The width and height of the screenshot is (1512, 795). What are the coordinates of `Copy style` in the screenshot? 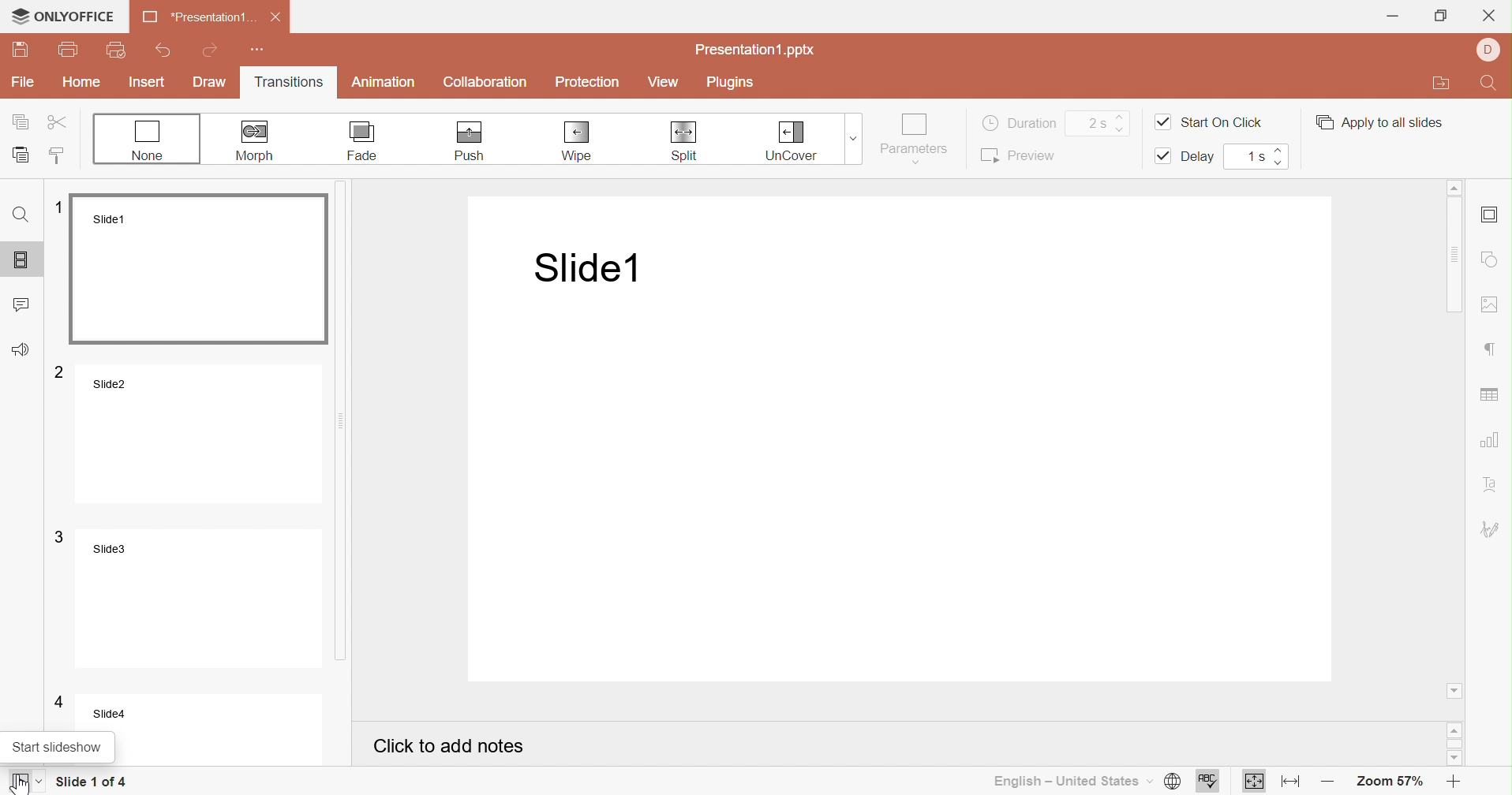 It's located at (58, 157).